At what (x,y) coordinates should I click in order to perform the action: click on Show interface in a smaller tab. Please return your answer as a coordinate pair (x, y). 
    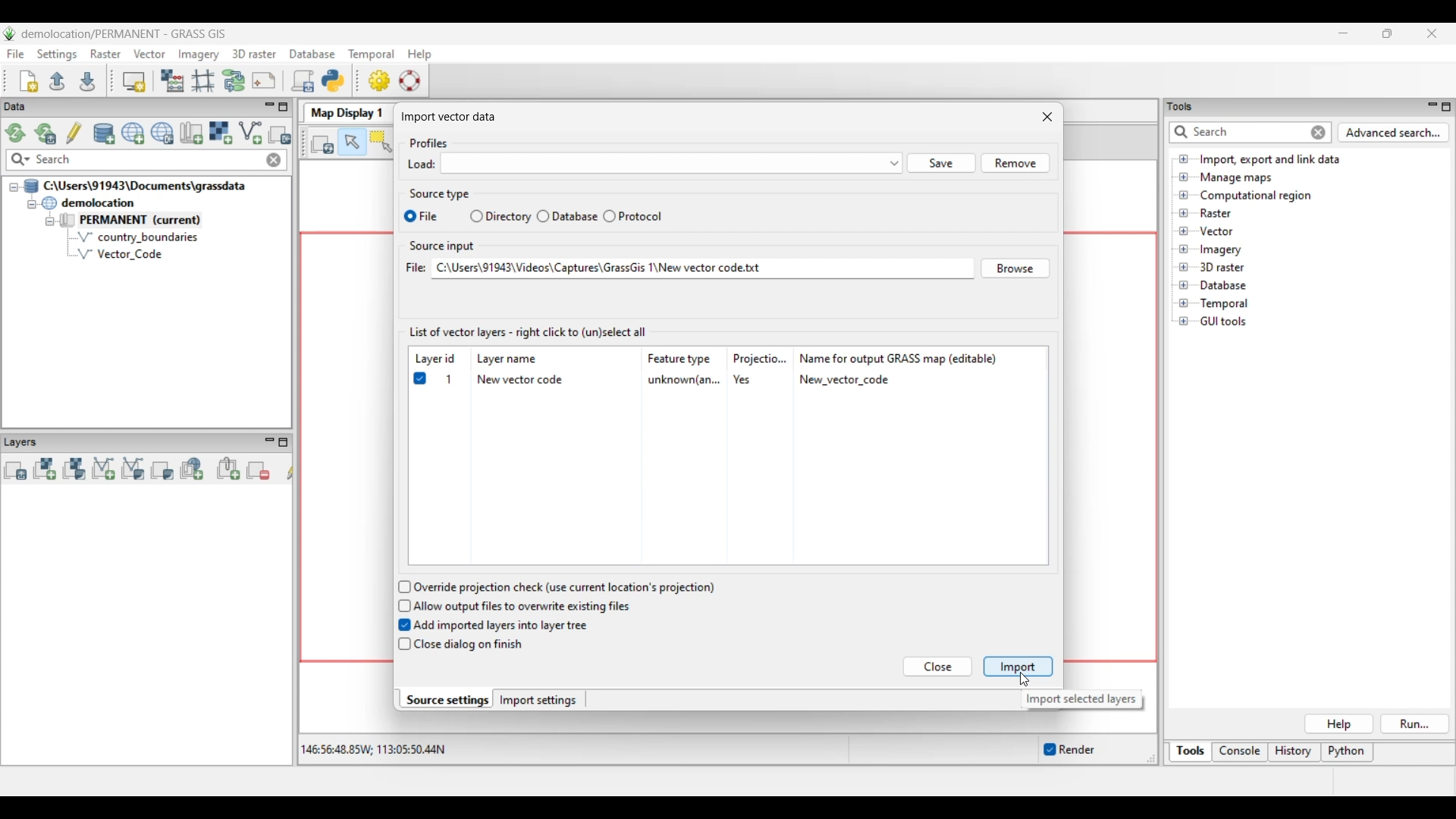
    Looking at the image, I should click on (1387, 33).